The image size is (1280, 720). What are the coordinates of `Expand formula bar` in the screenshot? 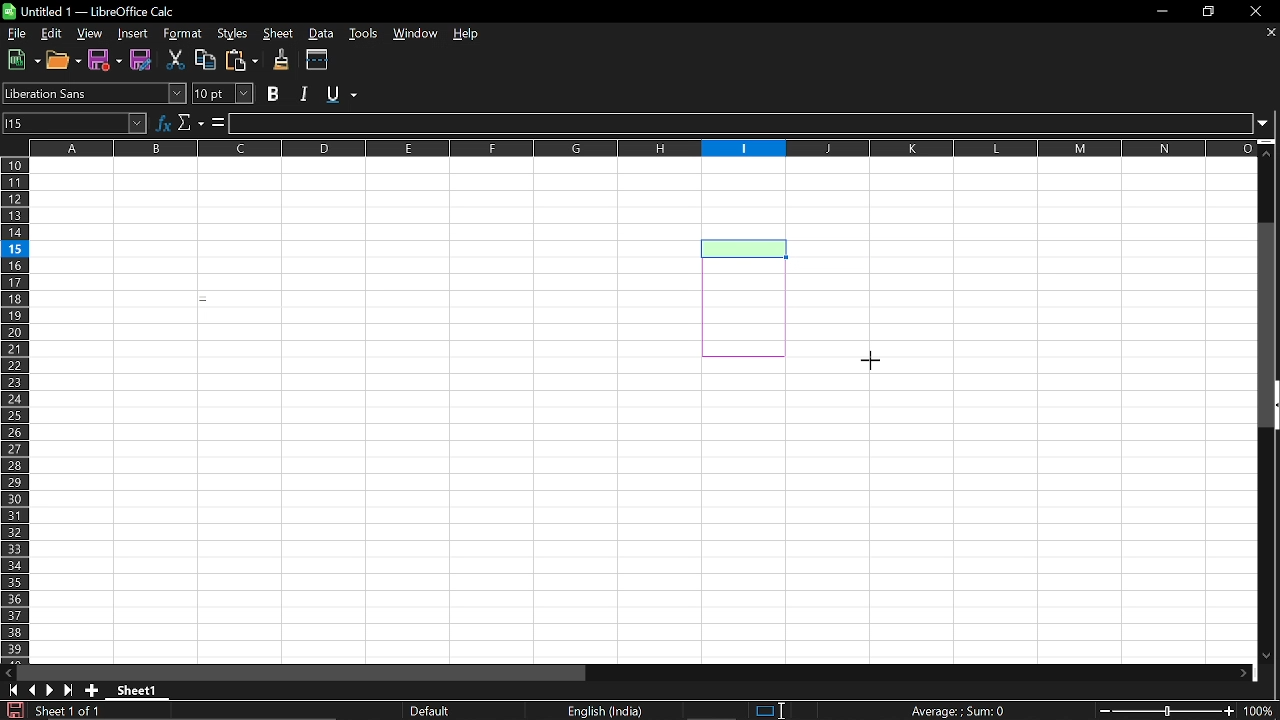 It's located at (1269, 126).